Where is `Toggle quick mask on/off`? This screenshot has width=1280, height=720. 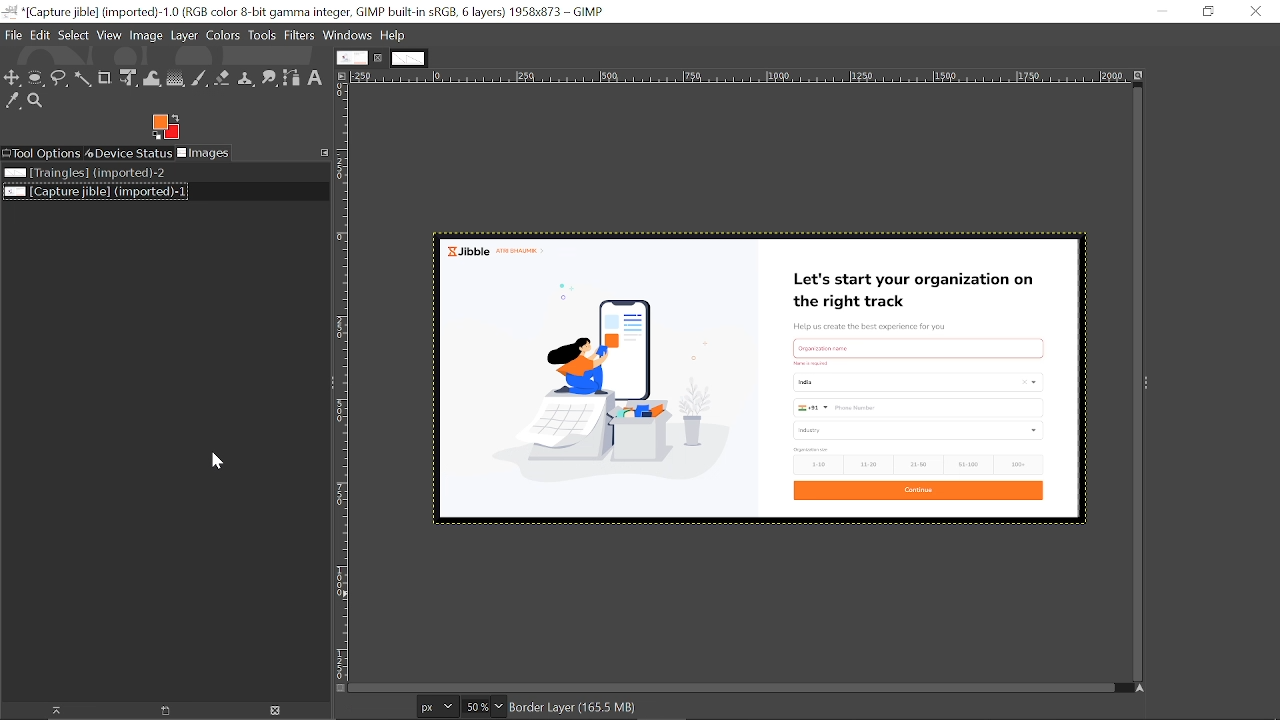 Toggle quick mask on/off is located at coordinates (338, 689).